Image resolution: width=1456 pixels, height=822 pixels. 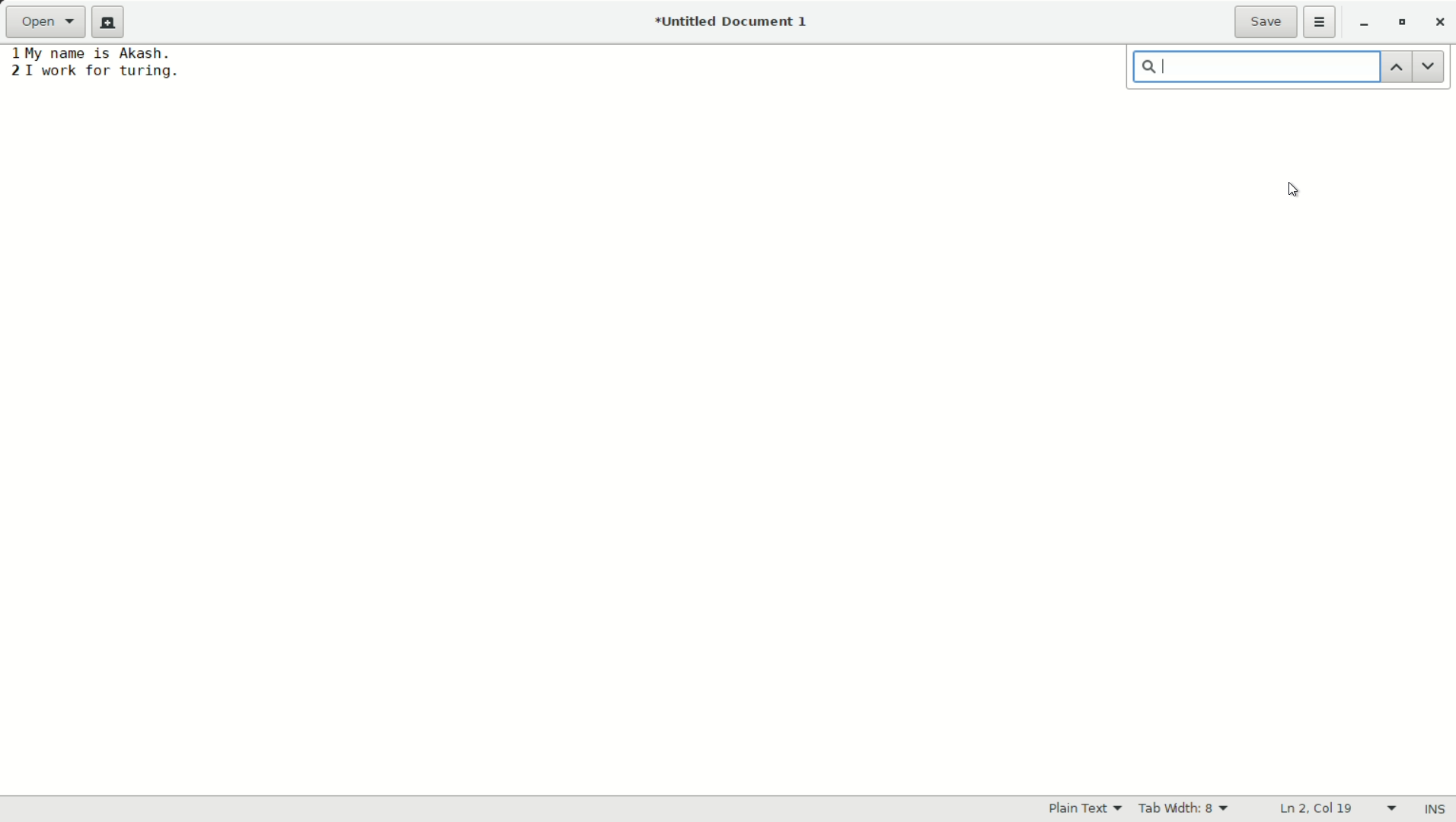 I want to click on open a file, so click(x=49, y=23).